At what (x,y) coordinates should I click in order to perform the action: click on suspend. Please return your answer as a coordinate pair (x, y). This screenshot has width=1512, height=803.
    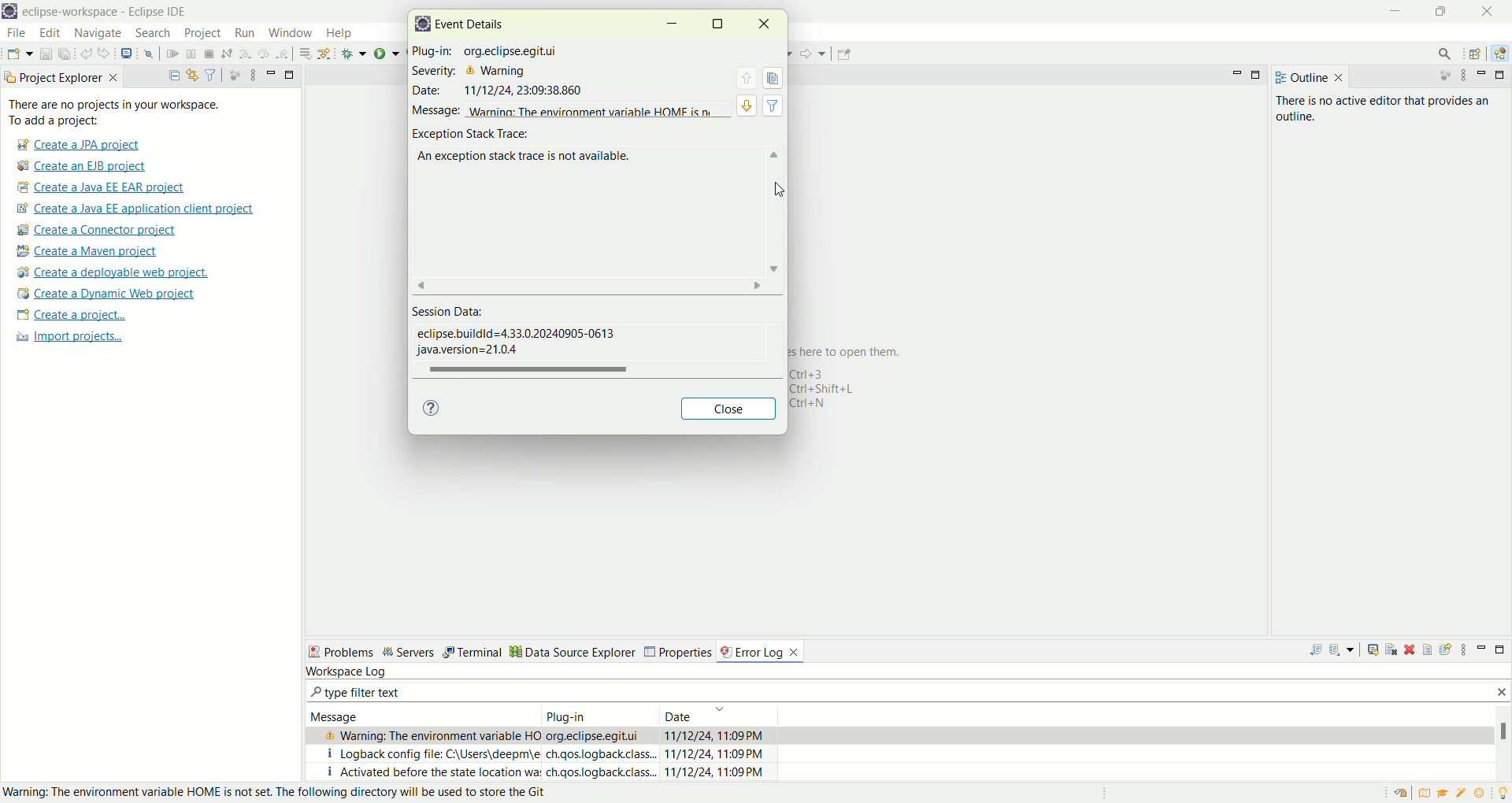
    Looking at the image, I should click on (192, 53).